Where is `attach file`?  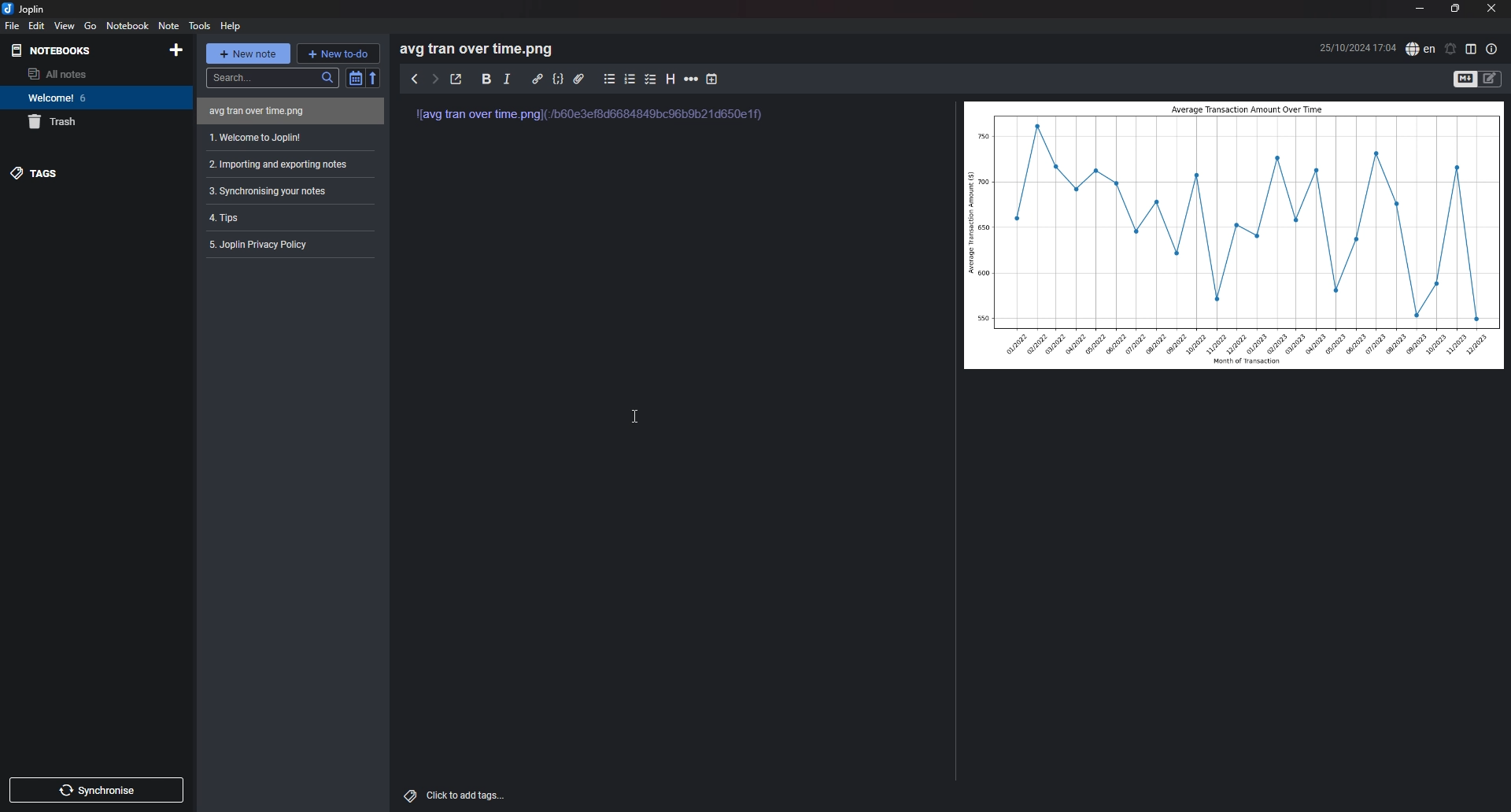 attach file is located at coordinates (578, 78).